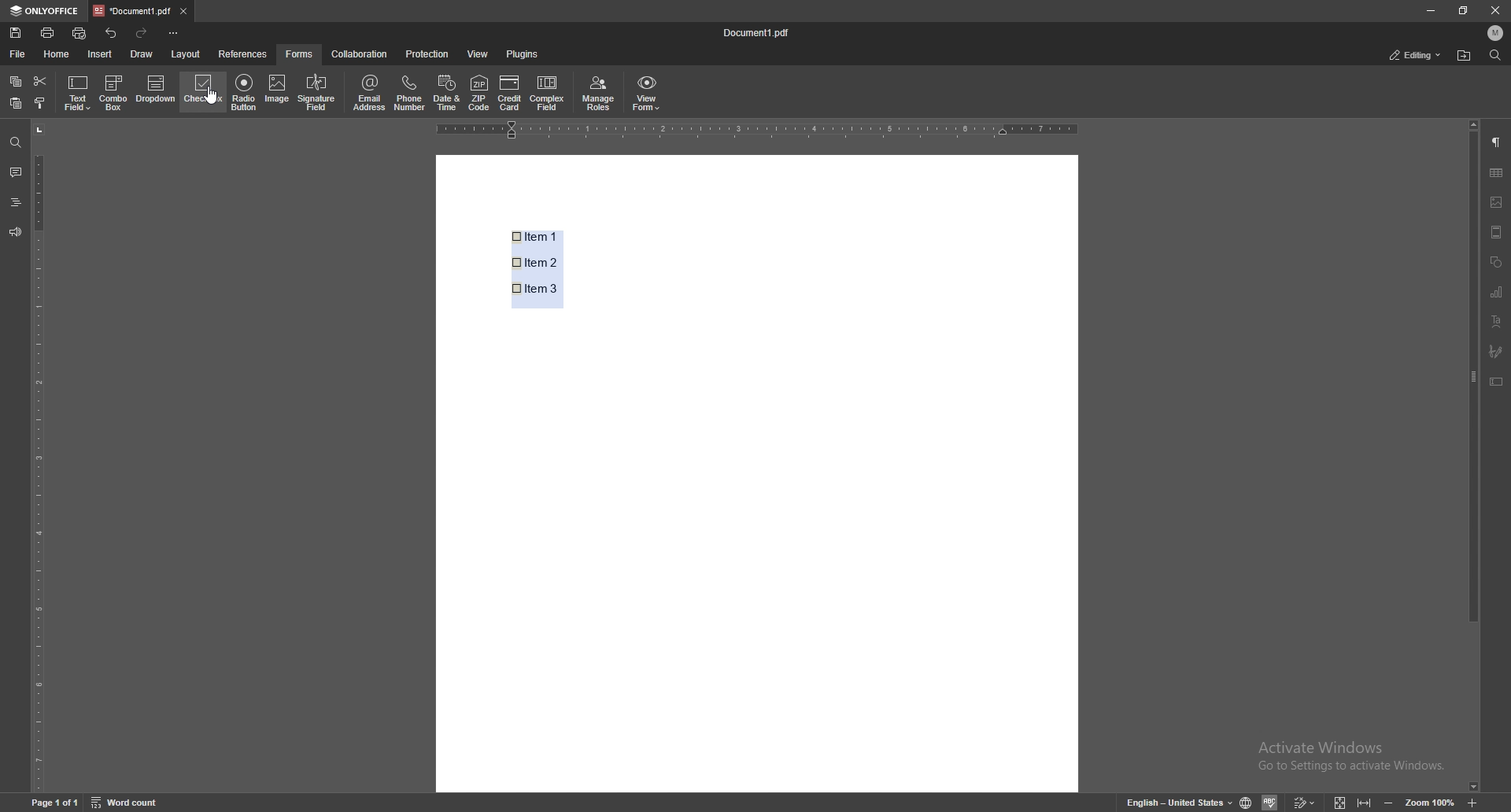 Image resolution: width=1511 pixels, height=812 pixels. What do you see at coordinates (517, 236) in the screenshot?
I see `checkbox` at bounding box center [517, 236].